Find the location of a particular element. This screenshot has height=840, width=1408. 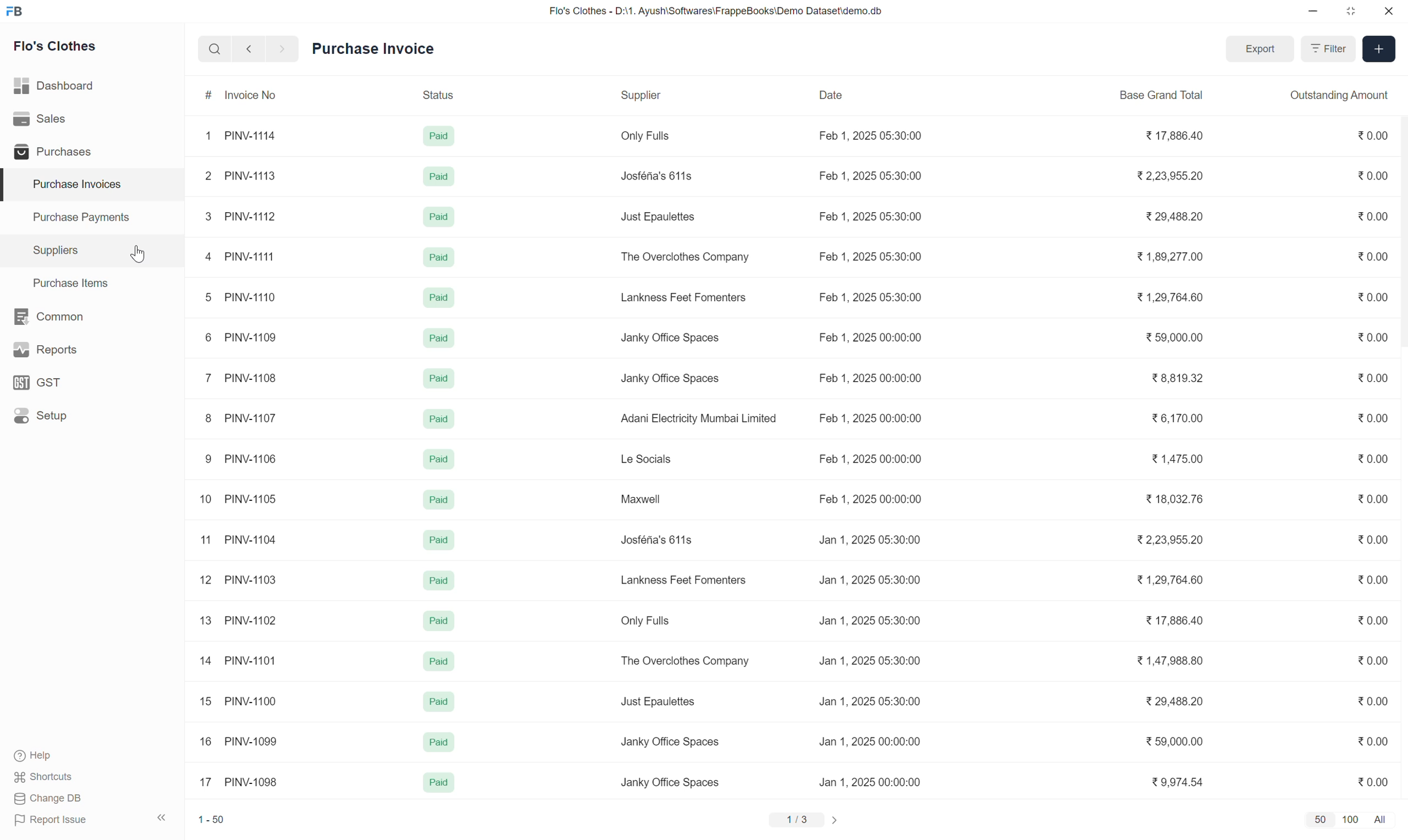

17 is located at coordinates (206, 782).